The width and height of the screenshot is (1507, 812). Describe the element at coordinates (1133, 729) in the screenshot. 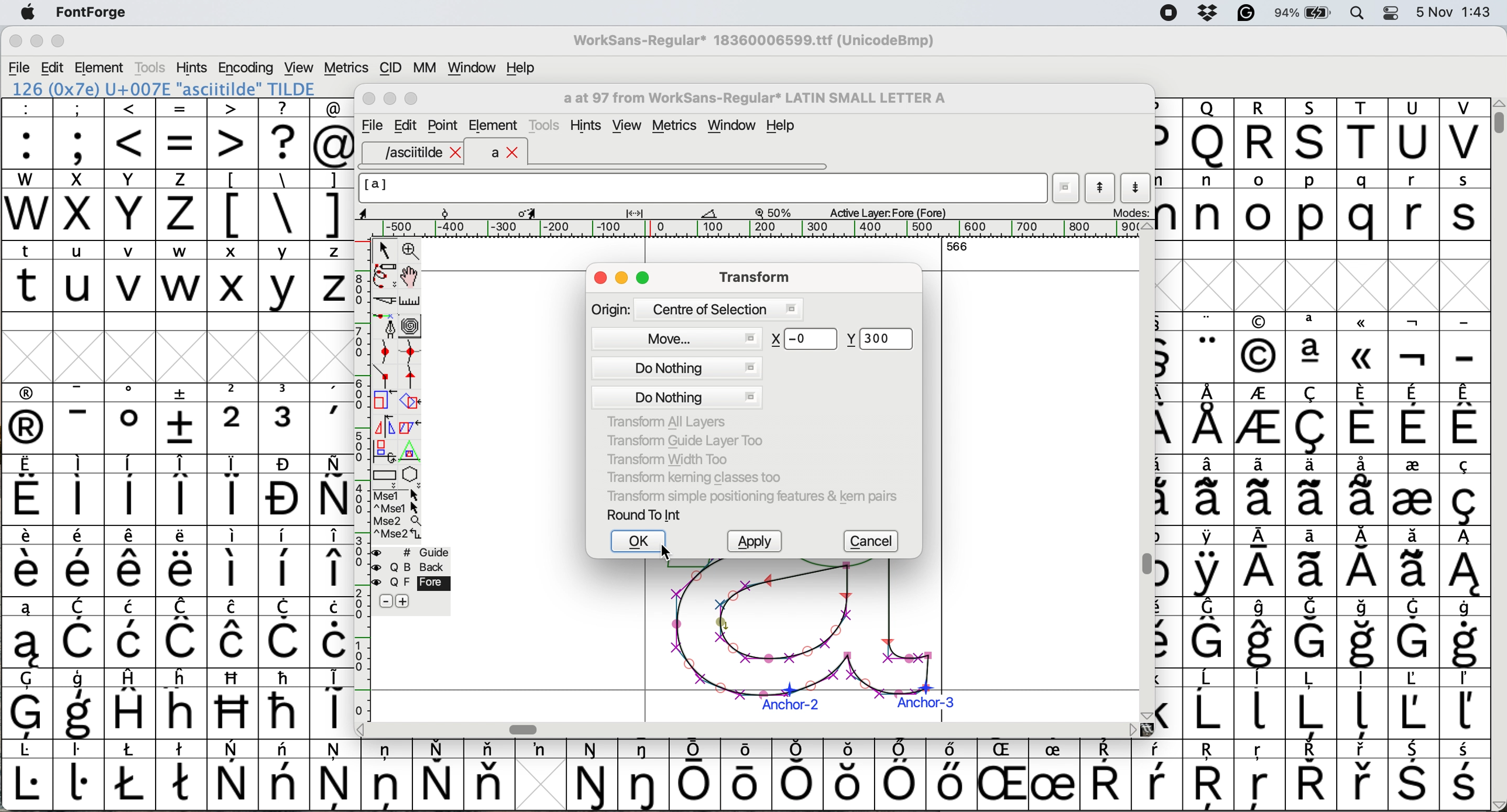

I see `scroll button` at that location.